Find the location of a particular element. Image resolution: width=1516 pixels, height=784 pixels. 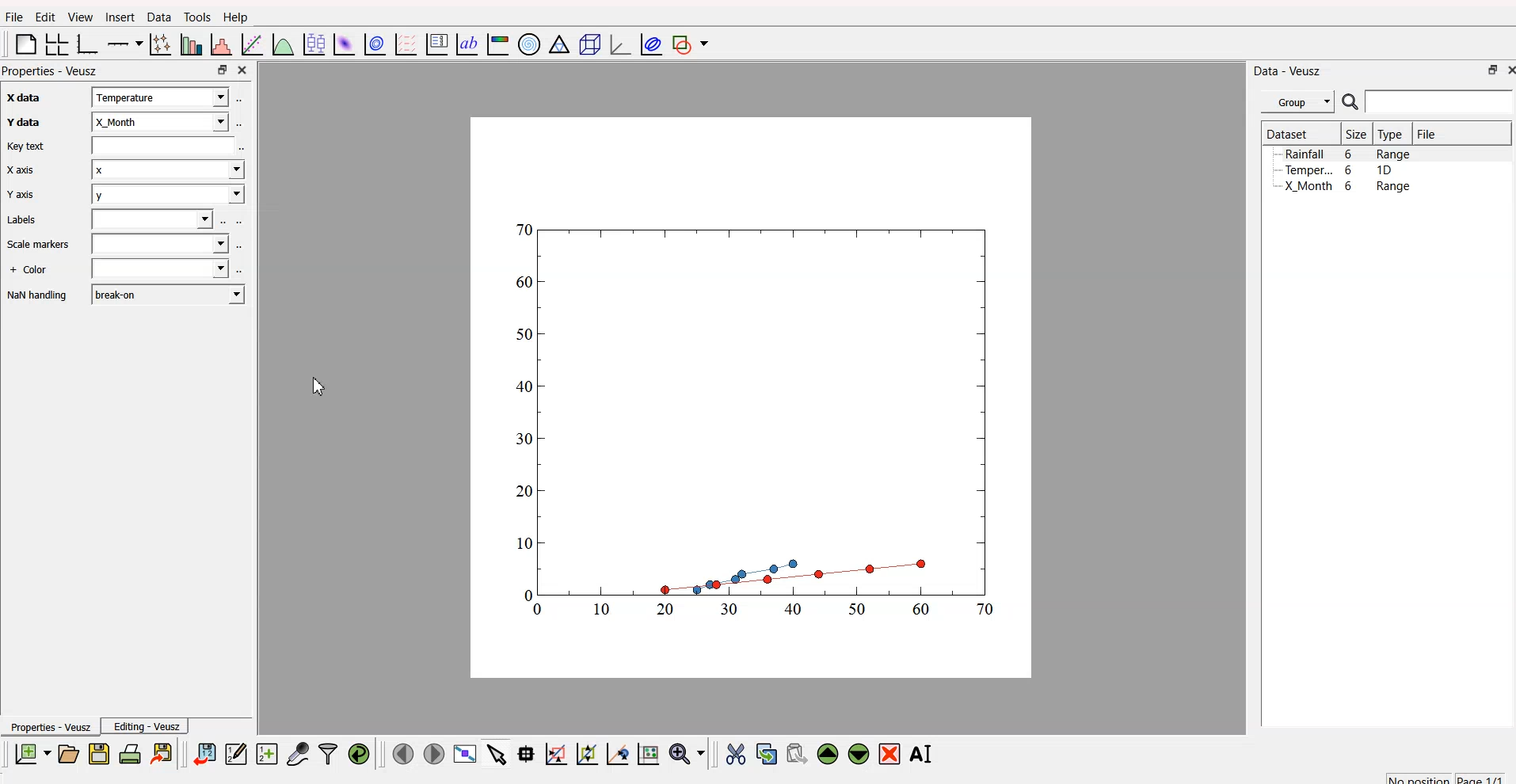

break-on is located at coordinates (168, 293).